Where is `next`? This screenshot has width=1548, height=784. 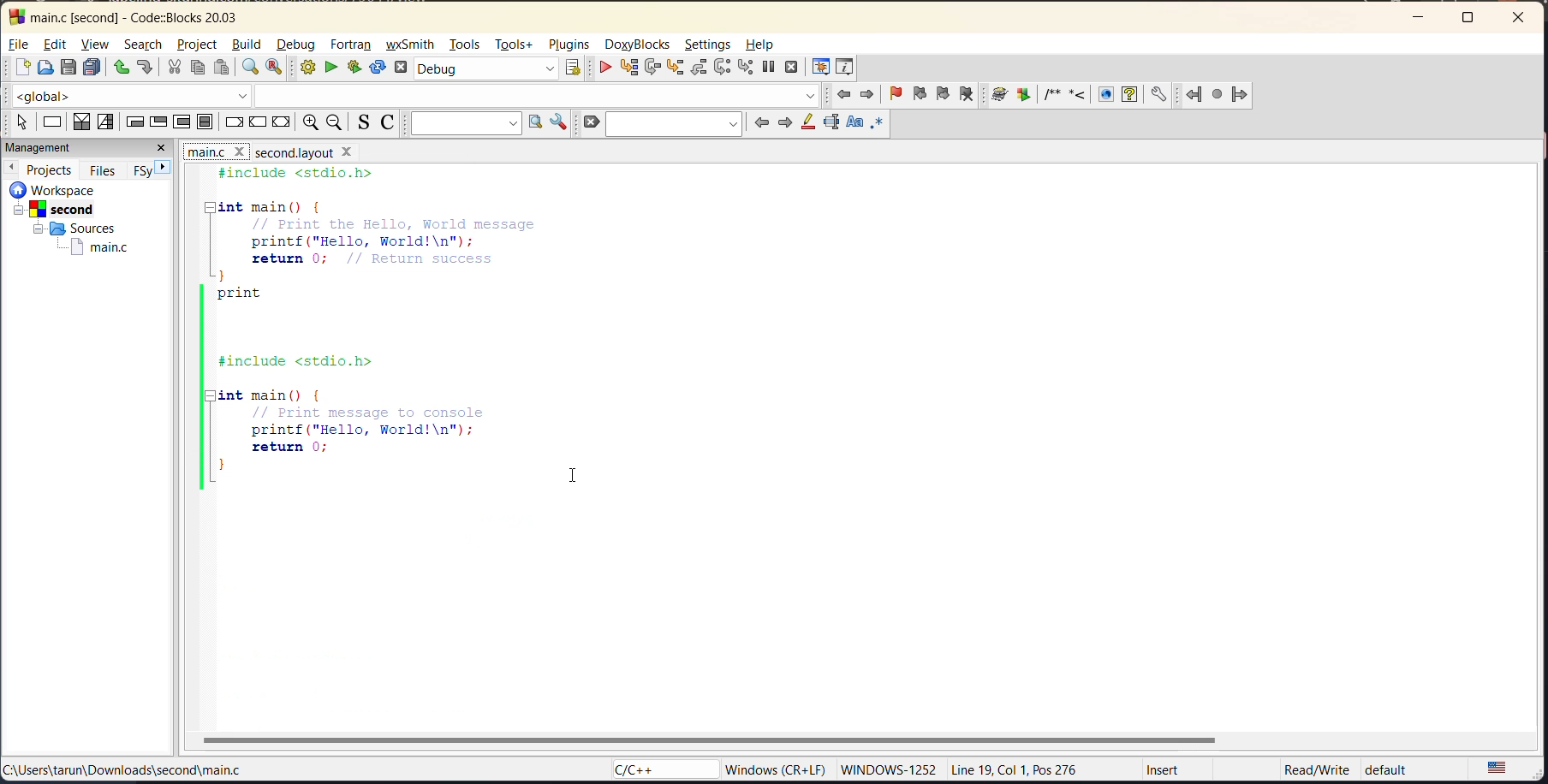
next is located at coordinates (163, 166).